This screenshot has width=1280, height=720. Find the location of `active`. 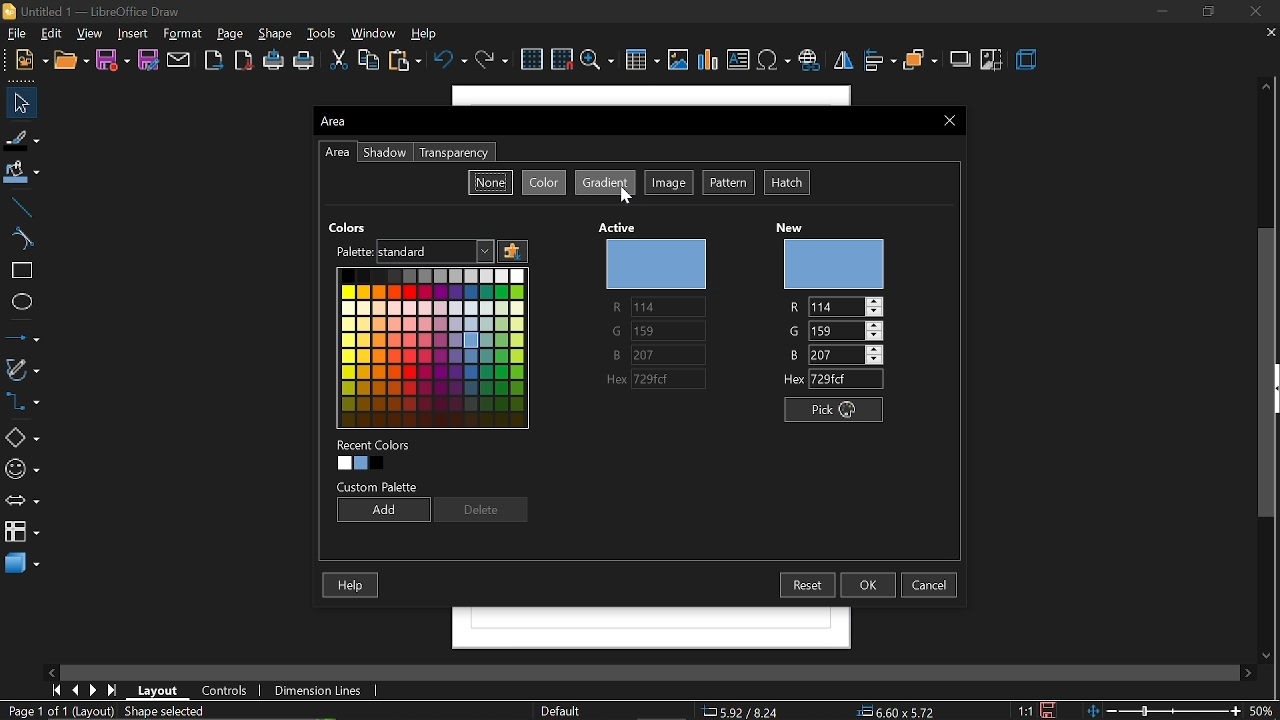

active is located at coordinates (658, 264).